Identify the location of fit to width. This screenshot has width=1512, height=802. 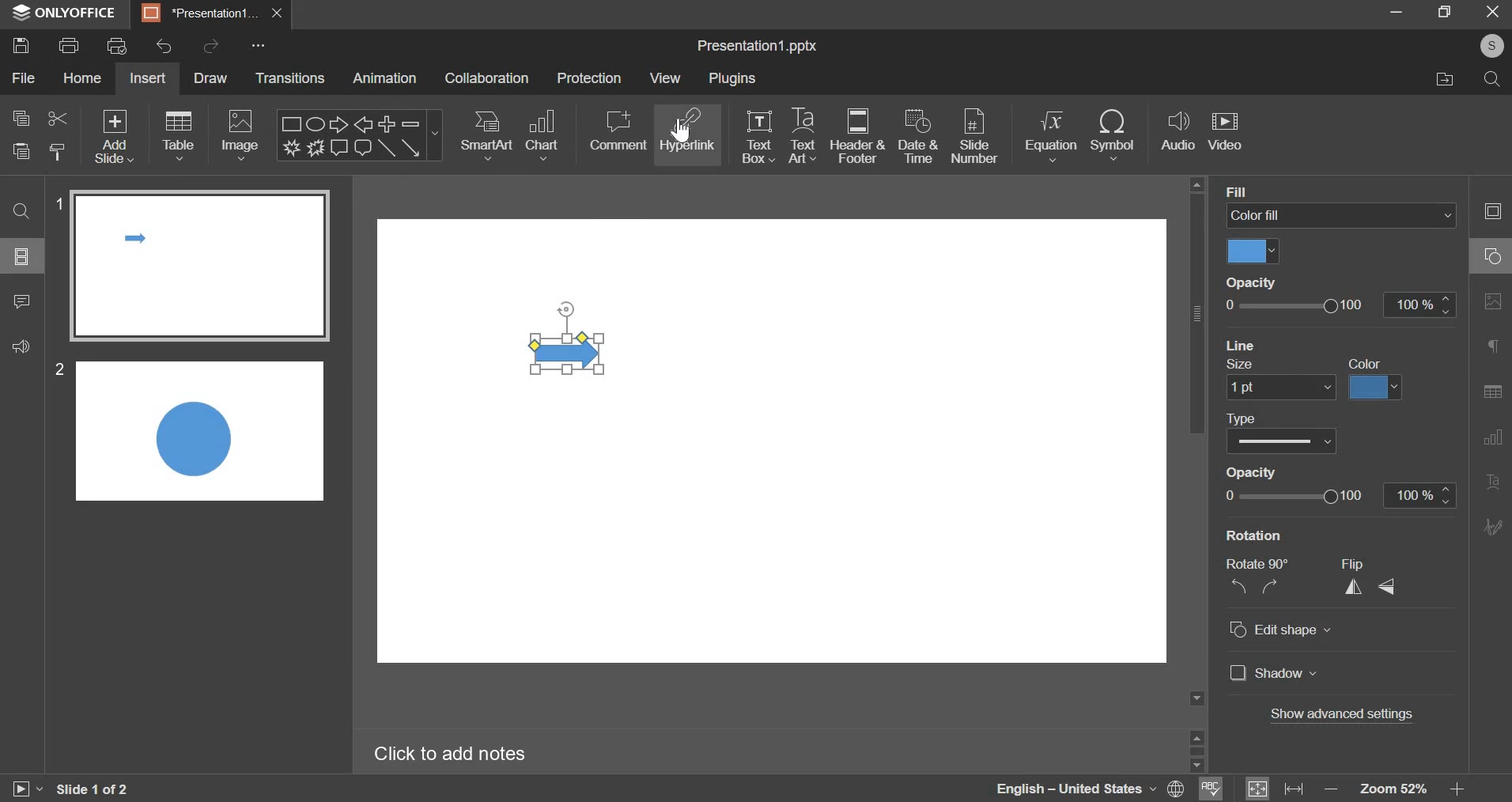
(1295, 789).